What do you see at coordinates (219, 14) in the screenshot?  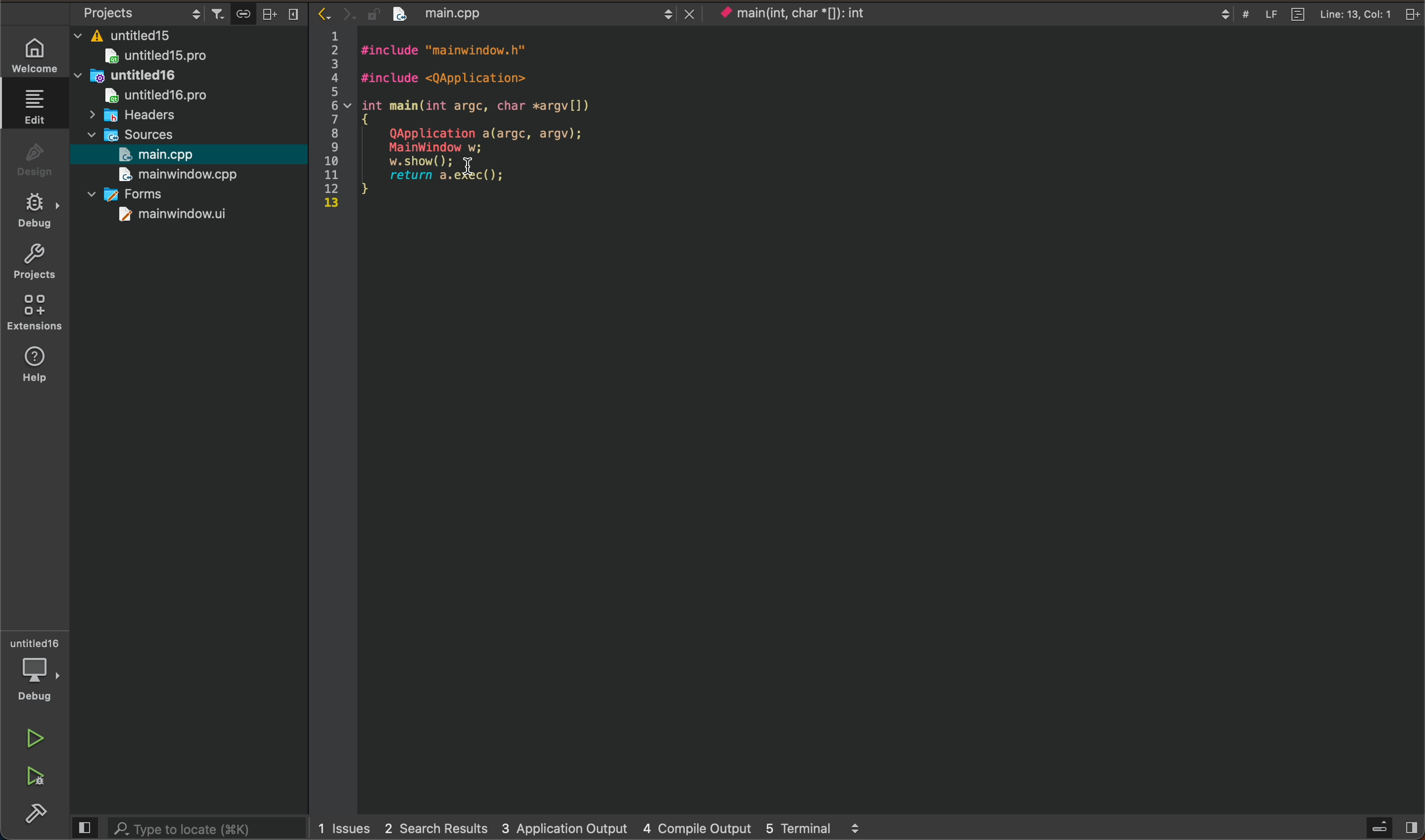 I see `filter` at bounding box center [219, 14].